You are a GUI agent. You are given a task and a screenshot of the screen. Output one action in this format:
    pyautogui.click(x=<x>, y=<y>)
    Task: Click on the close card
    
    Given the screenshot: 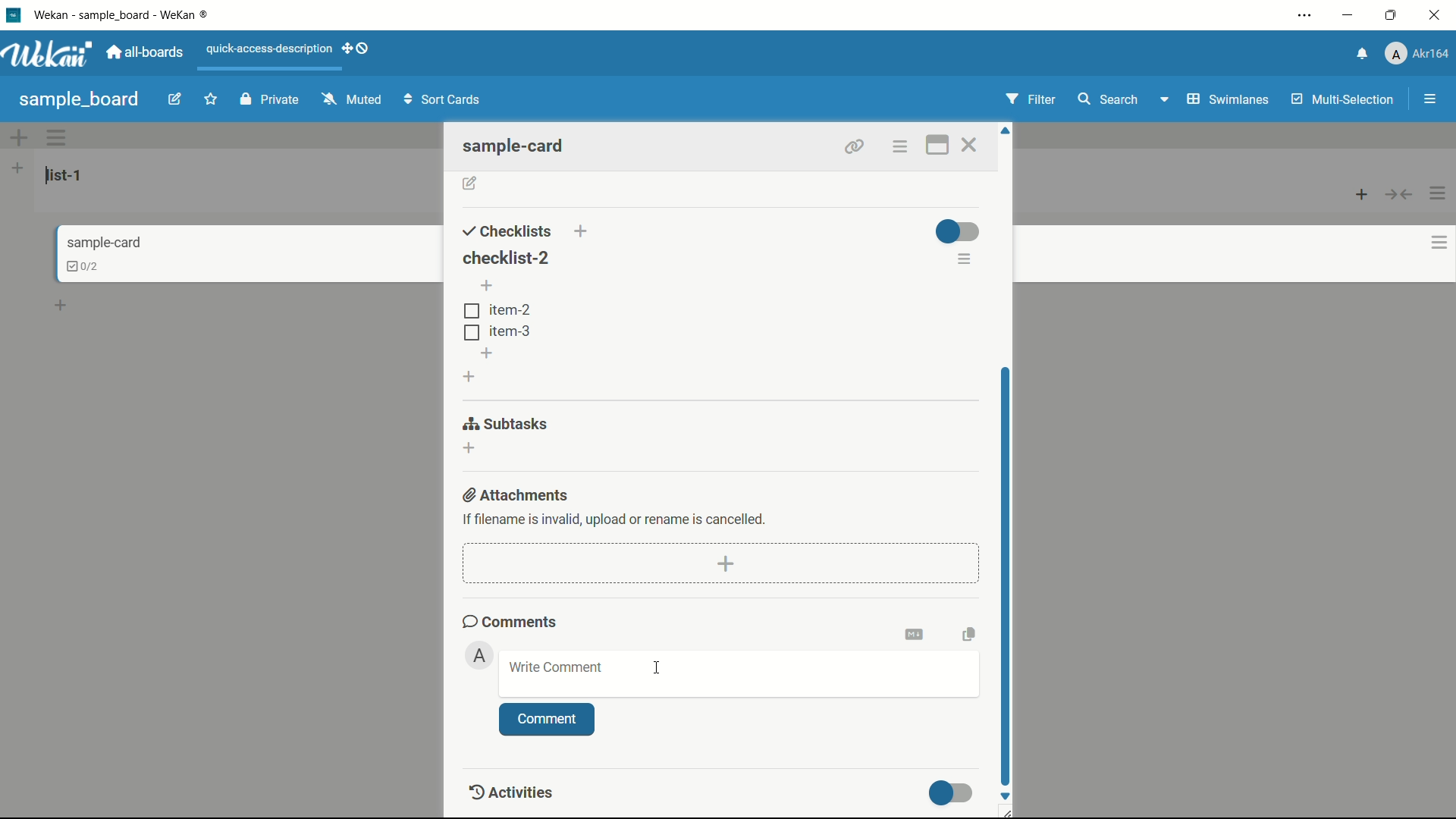 What is the action you would take?
    pyautogui.click(x=973, y=145)
    